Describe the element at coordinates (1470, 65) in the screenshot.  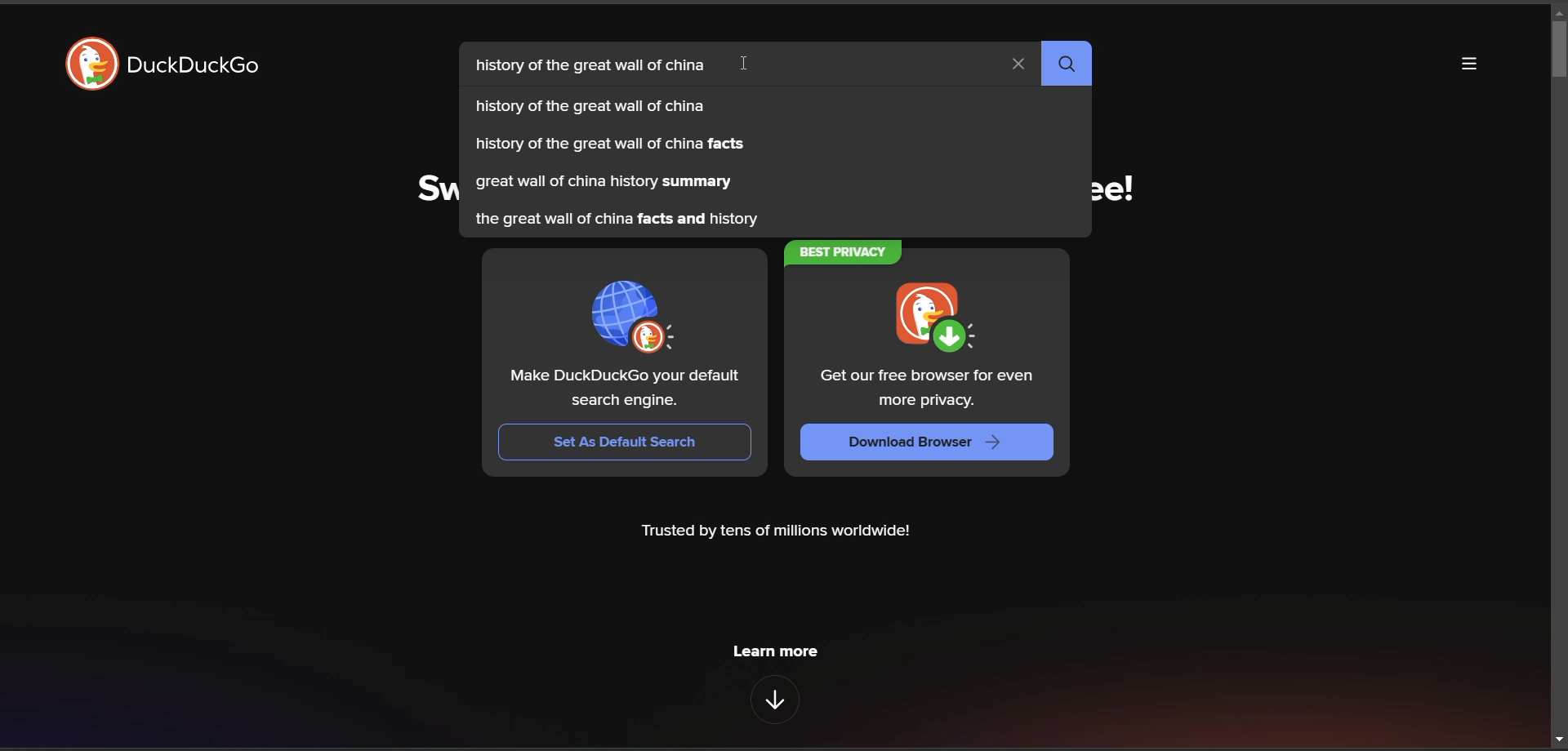
I see `more options` at that location.